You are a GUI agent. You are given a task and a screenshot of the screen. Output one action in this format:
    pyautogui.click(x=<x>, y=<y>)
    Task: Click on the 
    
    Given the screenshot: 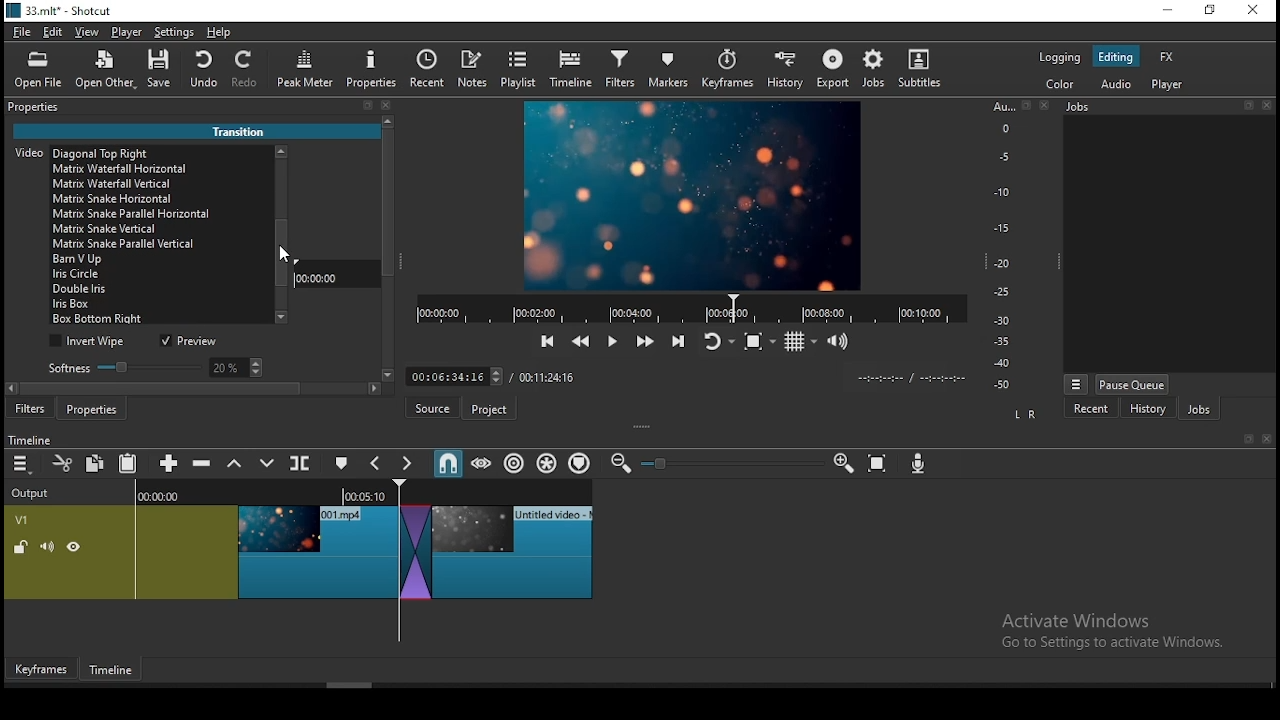 What is the action you would take?
    pyautogui.click(x=1025, y=106)
    